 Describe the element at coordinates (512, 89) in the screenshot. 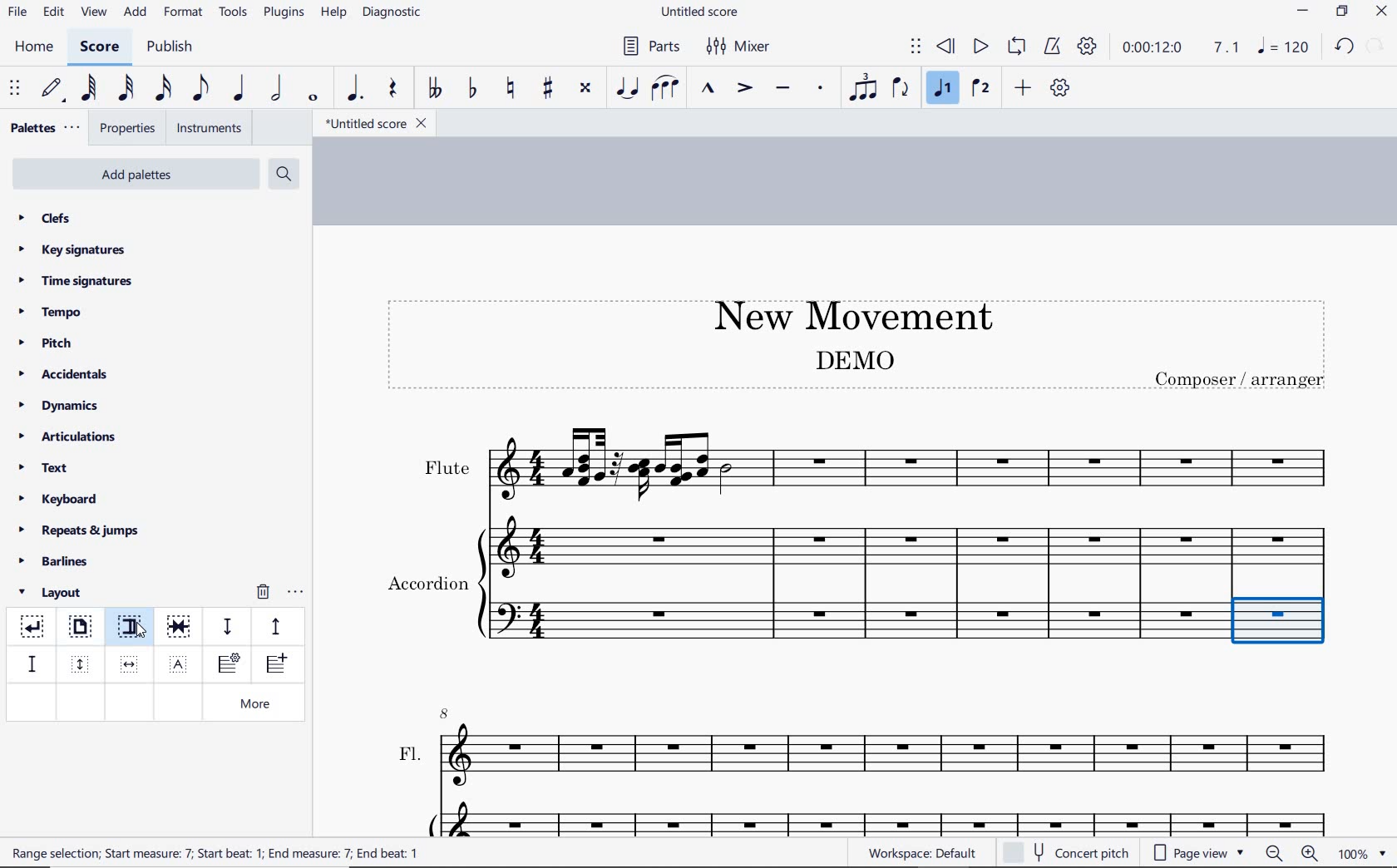

I see `toggle natural` at that location.